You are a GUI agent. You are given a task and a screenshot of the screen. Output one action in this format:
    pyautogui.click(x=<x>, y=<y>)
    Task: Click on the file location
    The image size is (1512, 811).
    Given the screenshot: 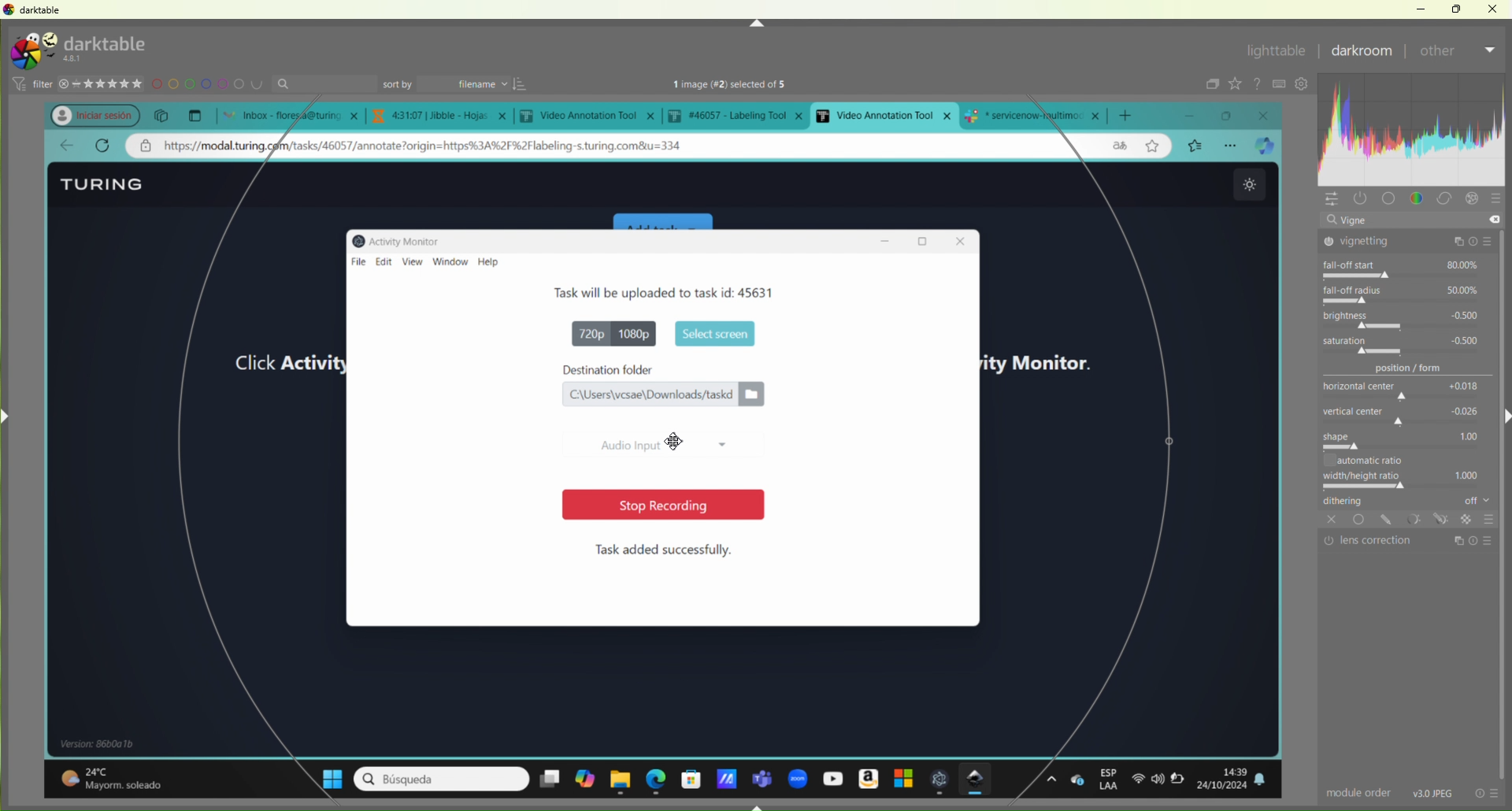 What is the action you would take?
    pyautogui.click(x=662, y=394)
    